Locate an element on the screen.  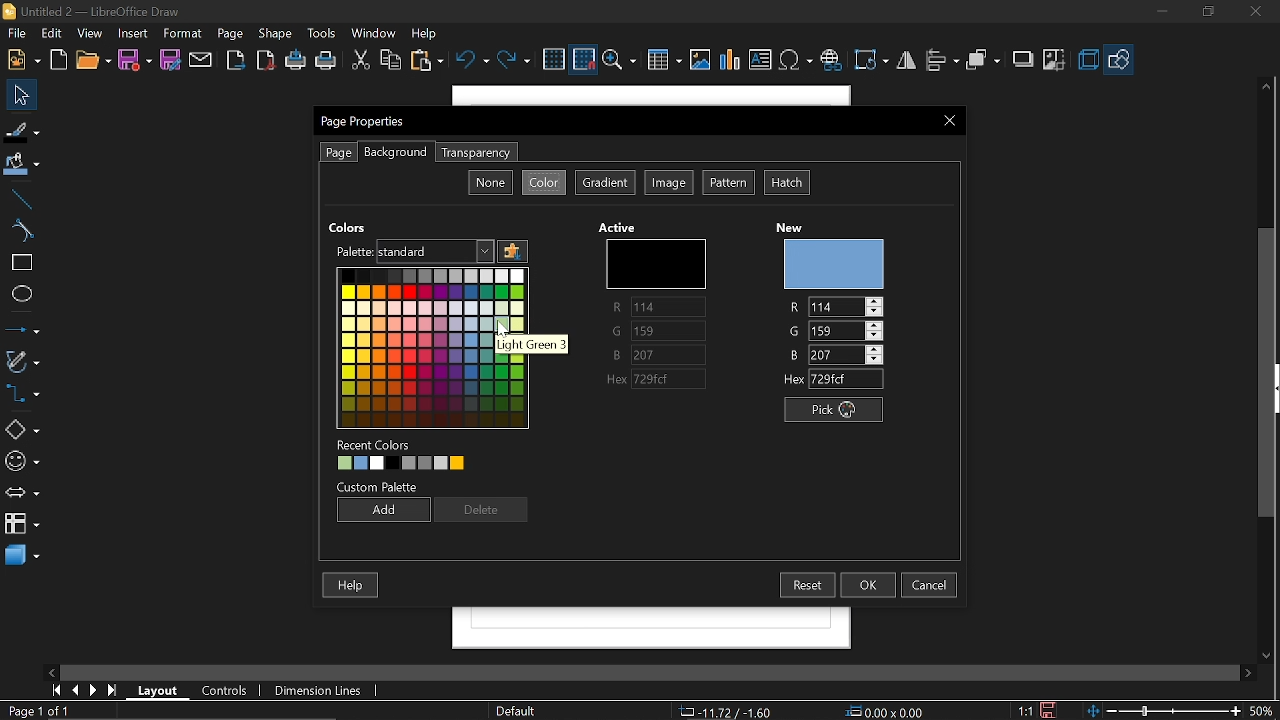
Background is located at coordinates (394, 153).